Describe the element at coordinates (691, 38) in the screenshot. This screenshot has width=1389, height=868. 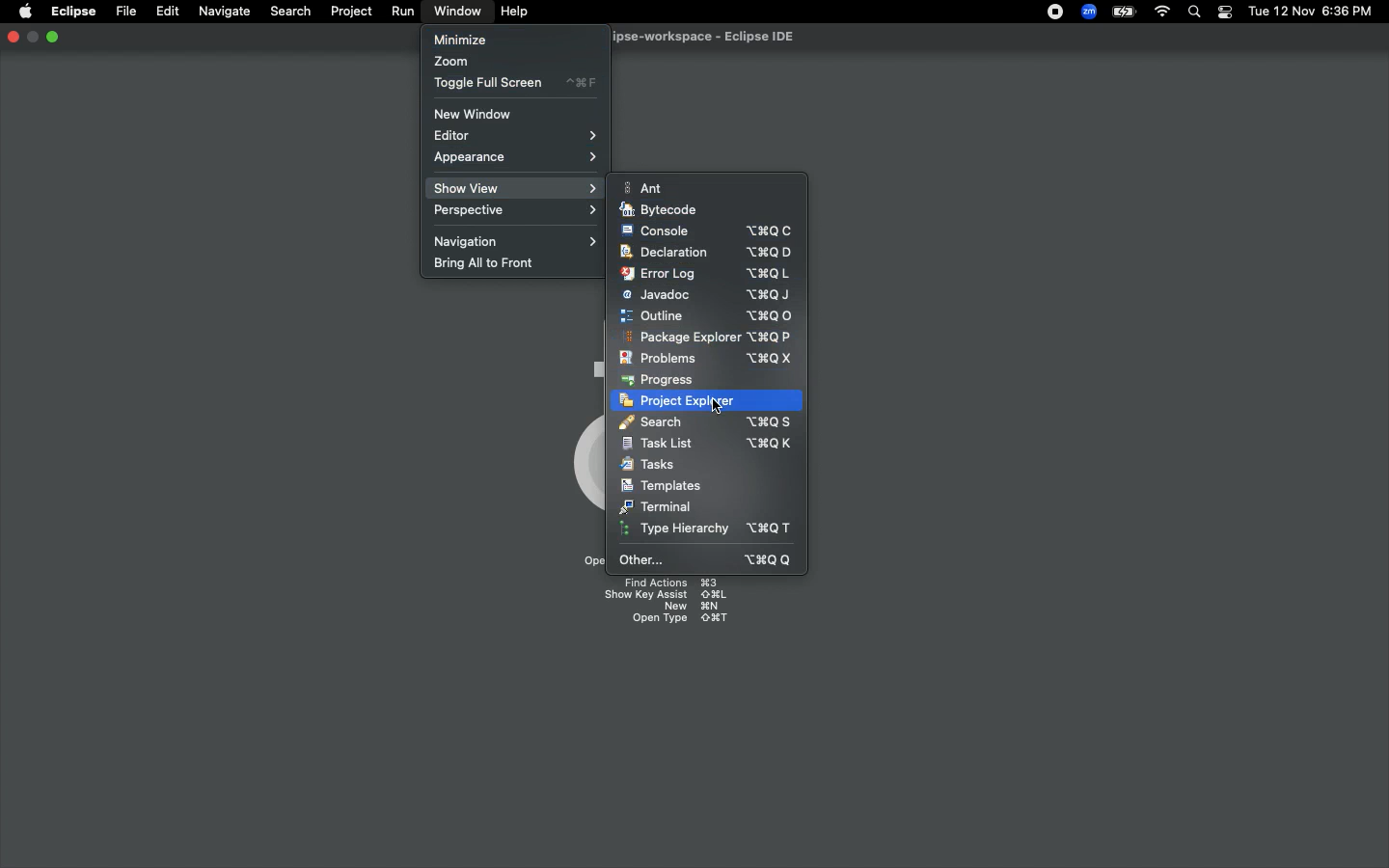
I see `Eclipse IDE` at that location.